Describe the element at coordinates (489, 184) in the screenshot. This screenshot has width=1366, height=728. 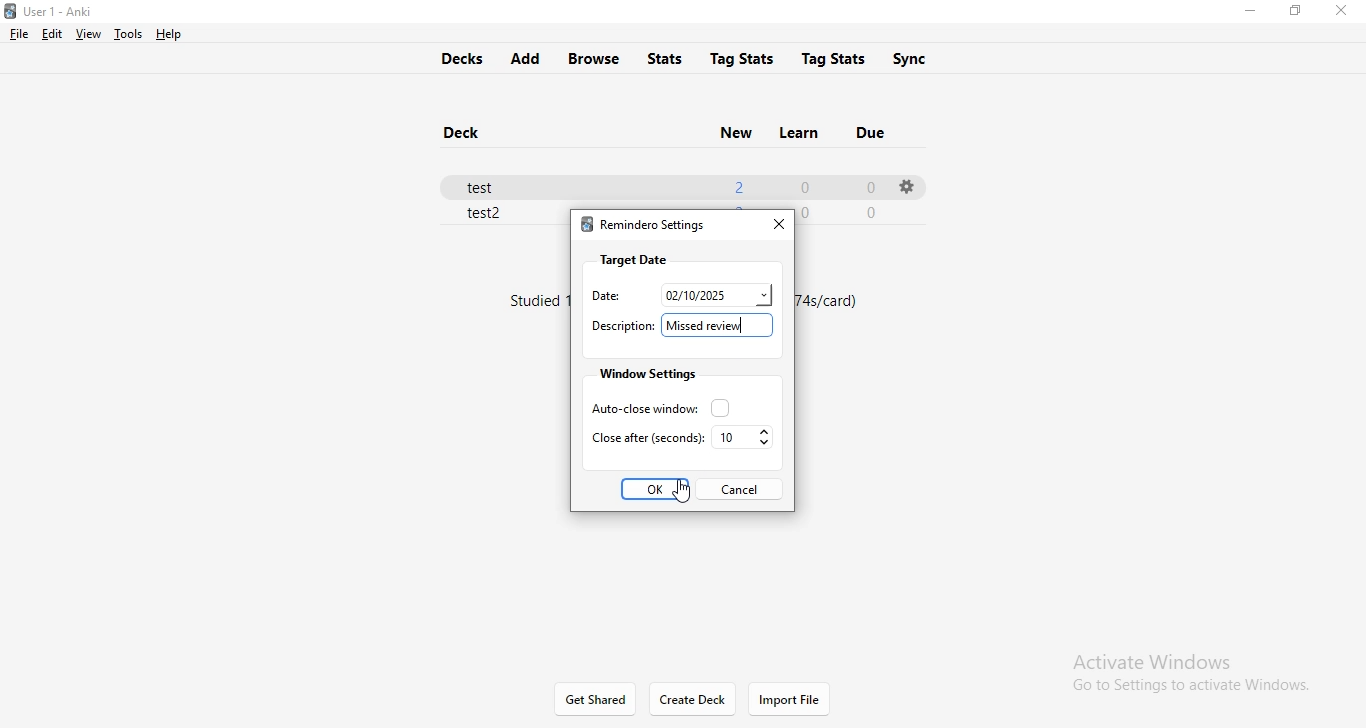
I see `test` at that location.